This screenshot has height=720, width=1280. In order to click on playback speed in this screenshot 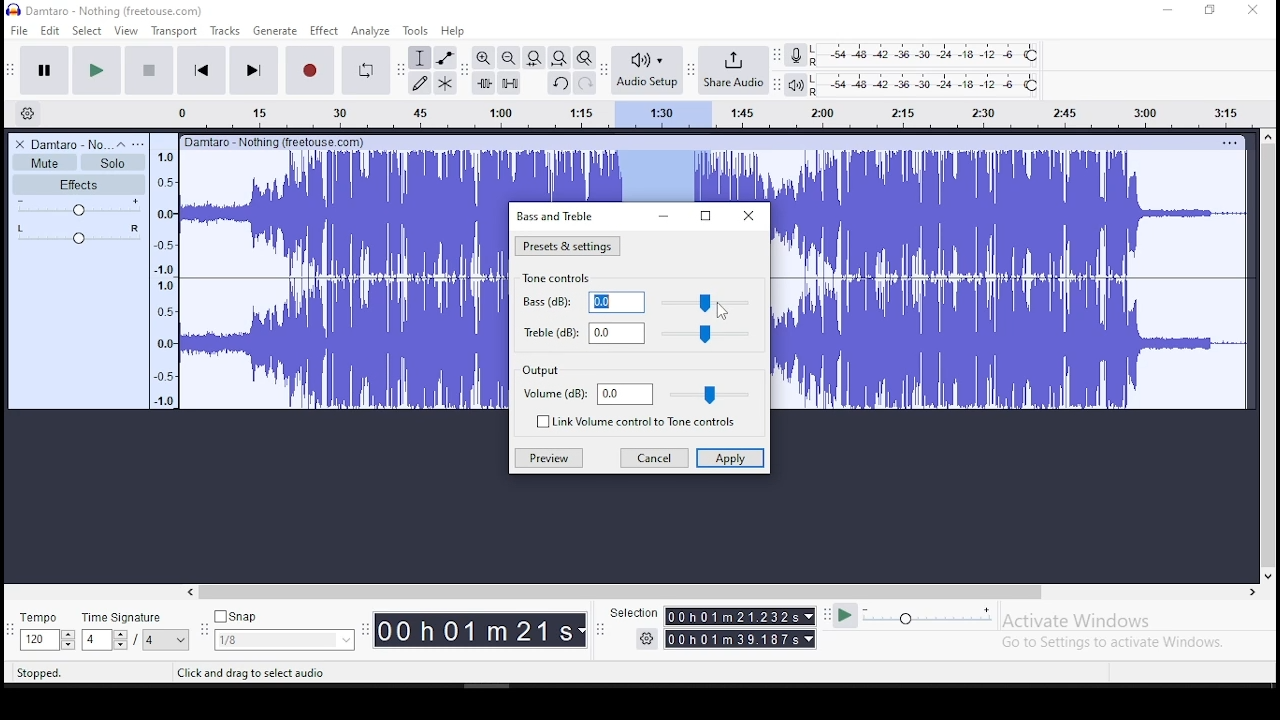, I will do `click(929, 615)`.